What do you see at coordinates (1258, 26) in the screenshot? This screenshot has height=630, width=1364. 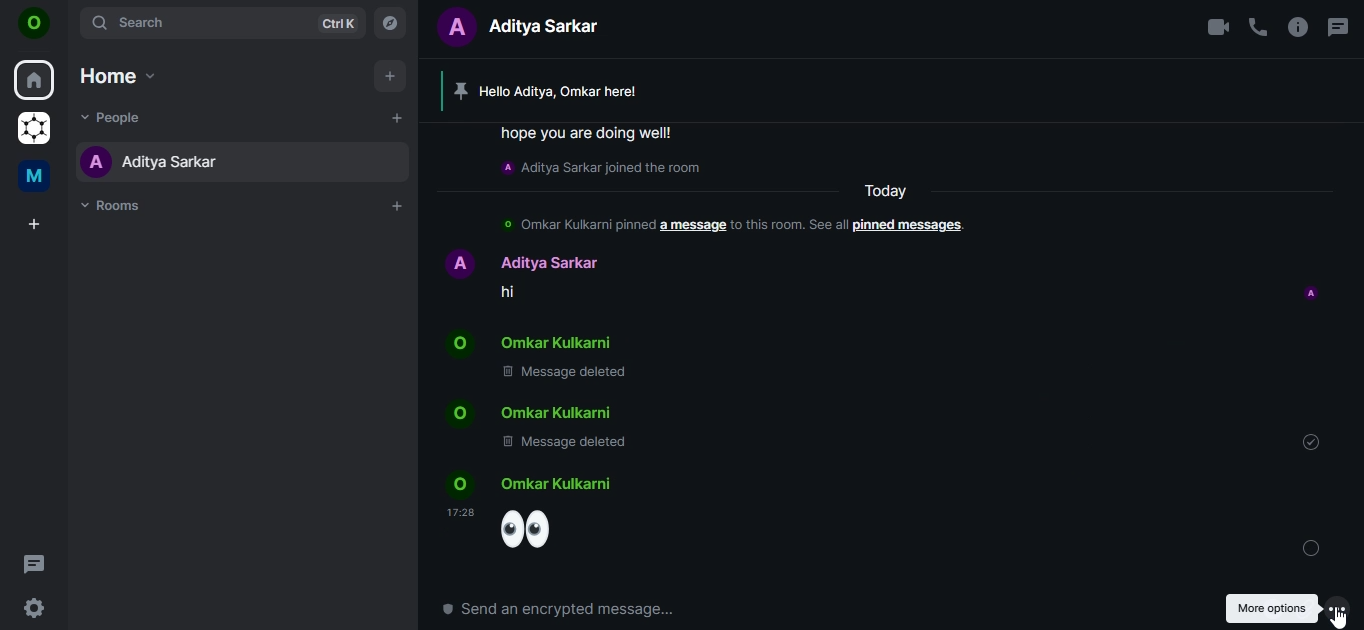 I see `voice call` at bounding box center [1258, 26].